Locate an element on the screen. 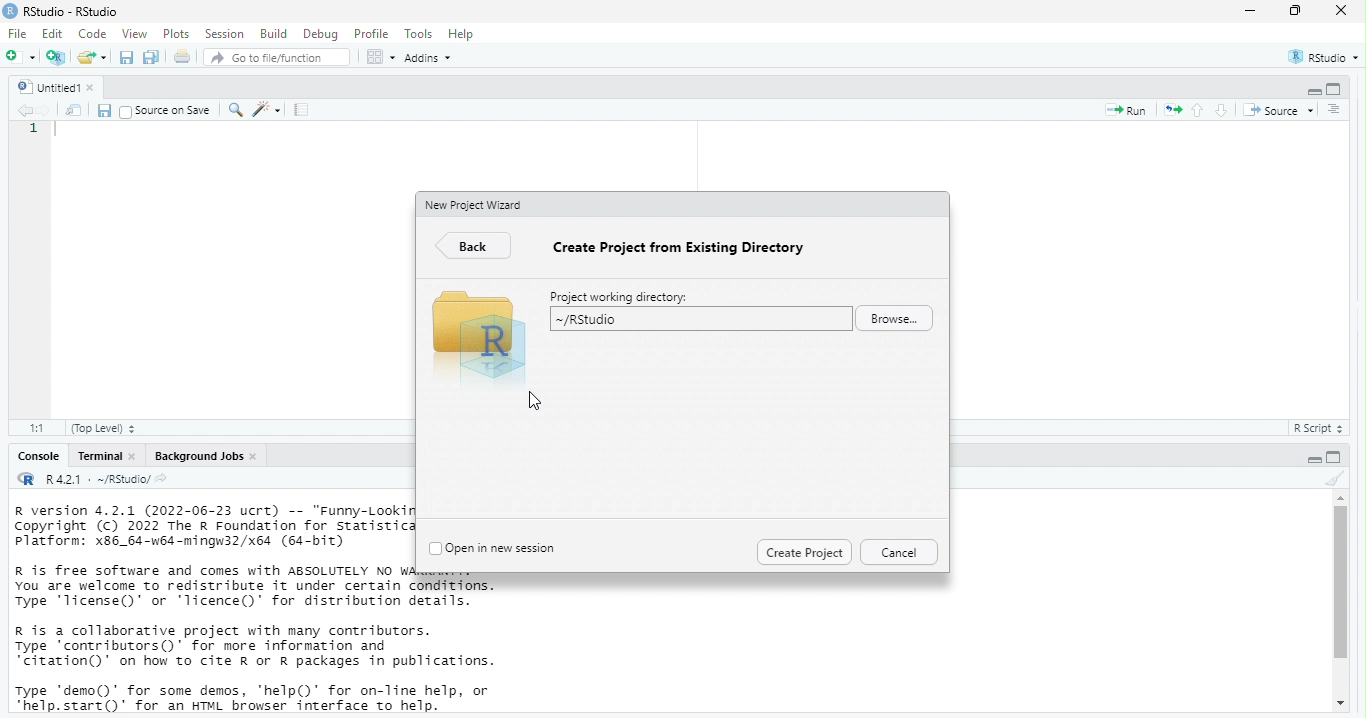 The height and width of the screenshot is (718, 1366). show in new window is located at coordinates (74, 110).